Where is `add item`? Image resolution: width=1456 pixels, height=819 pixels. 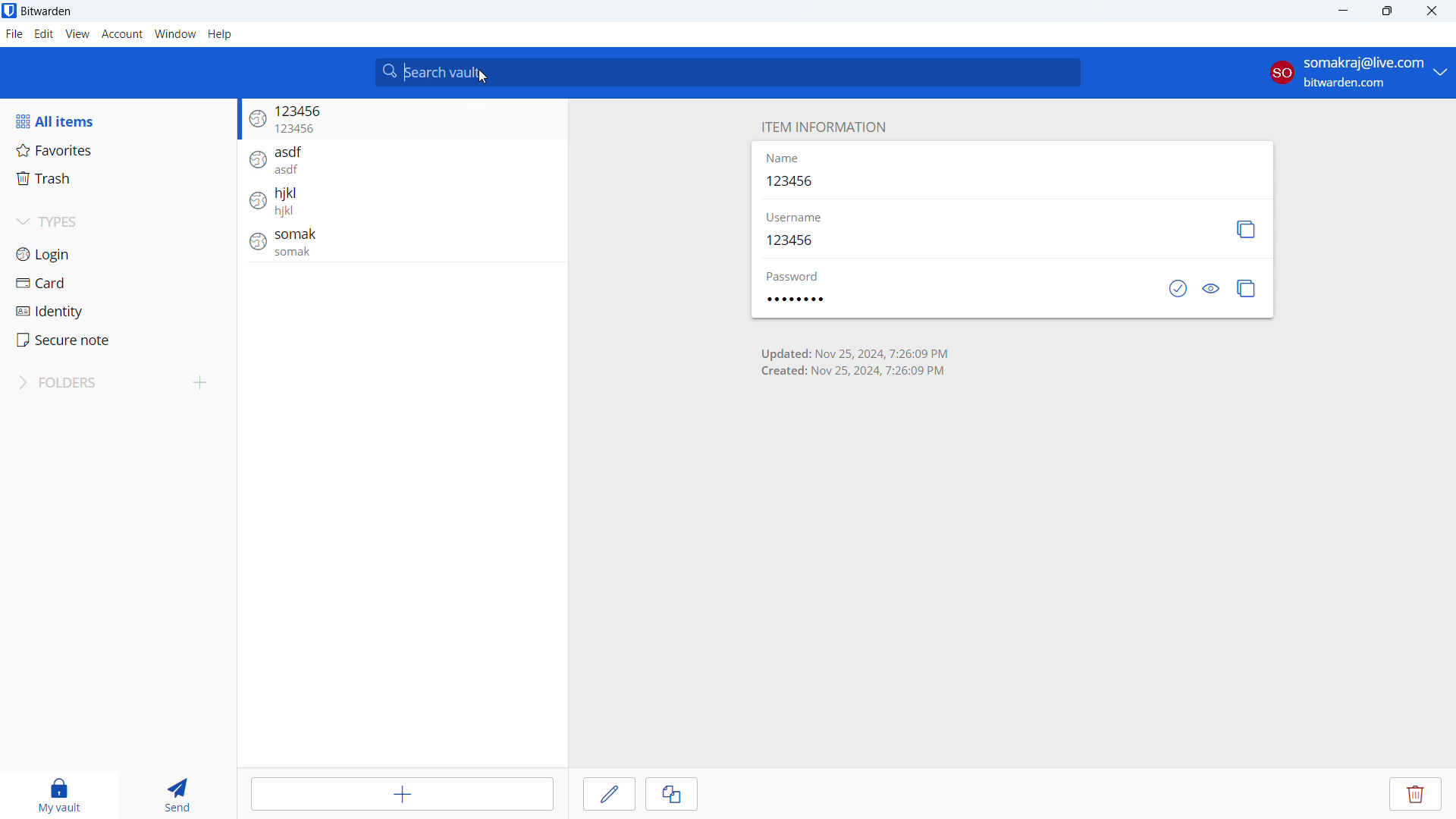
add item is located at coordinates (402, 795).